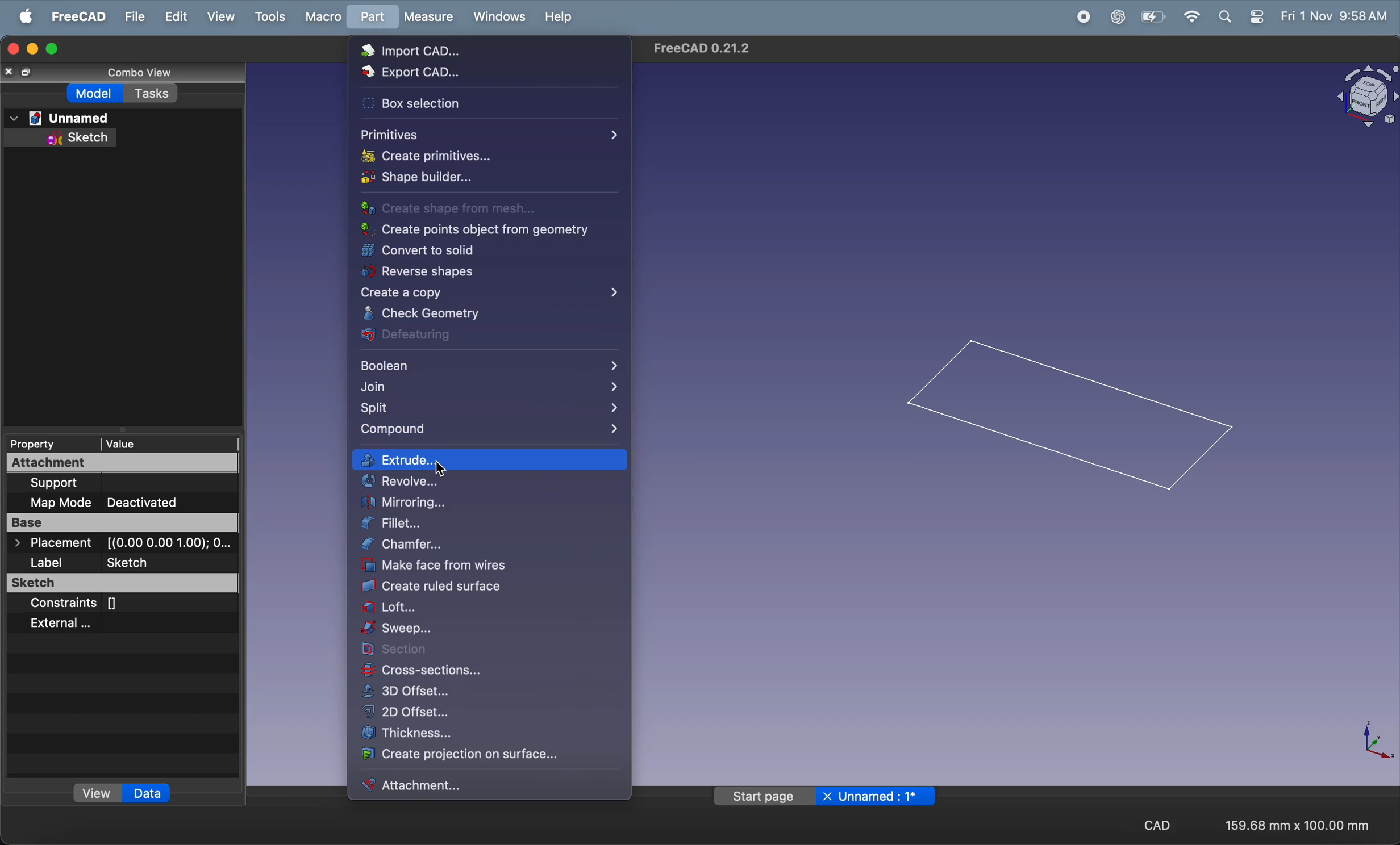  I want to click on label sketch, so click(126, 563).